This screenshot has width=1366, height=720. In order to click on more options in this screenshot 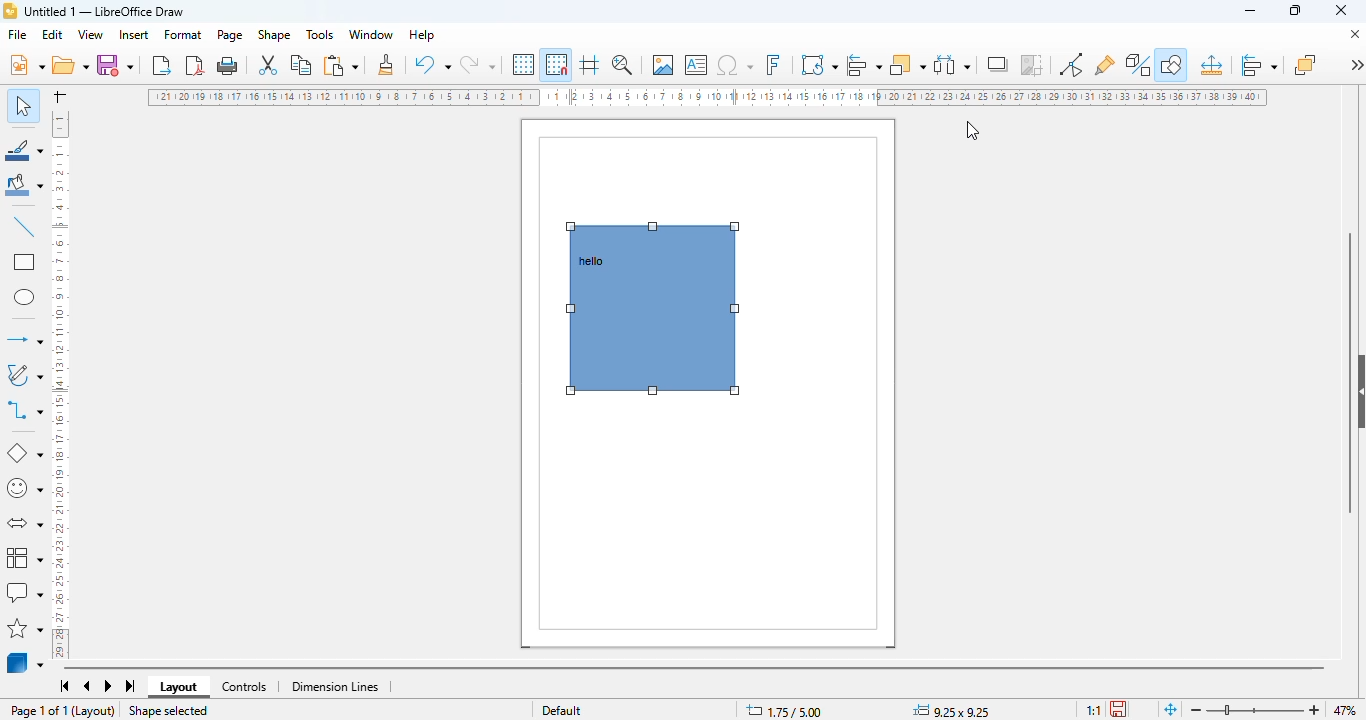, I will do `click(1356, 64)`.